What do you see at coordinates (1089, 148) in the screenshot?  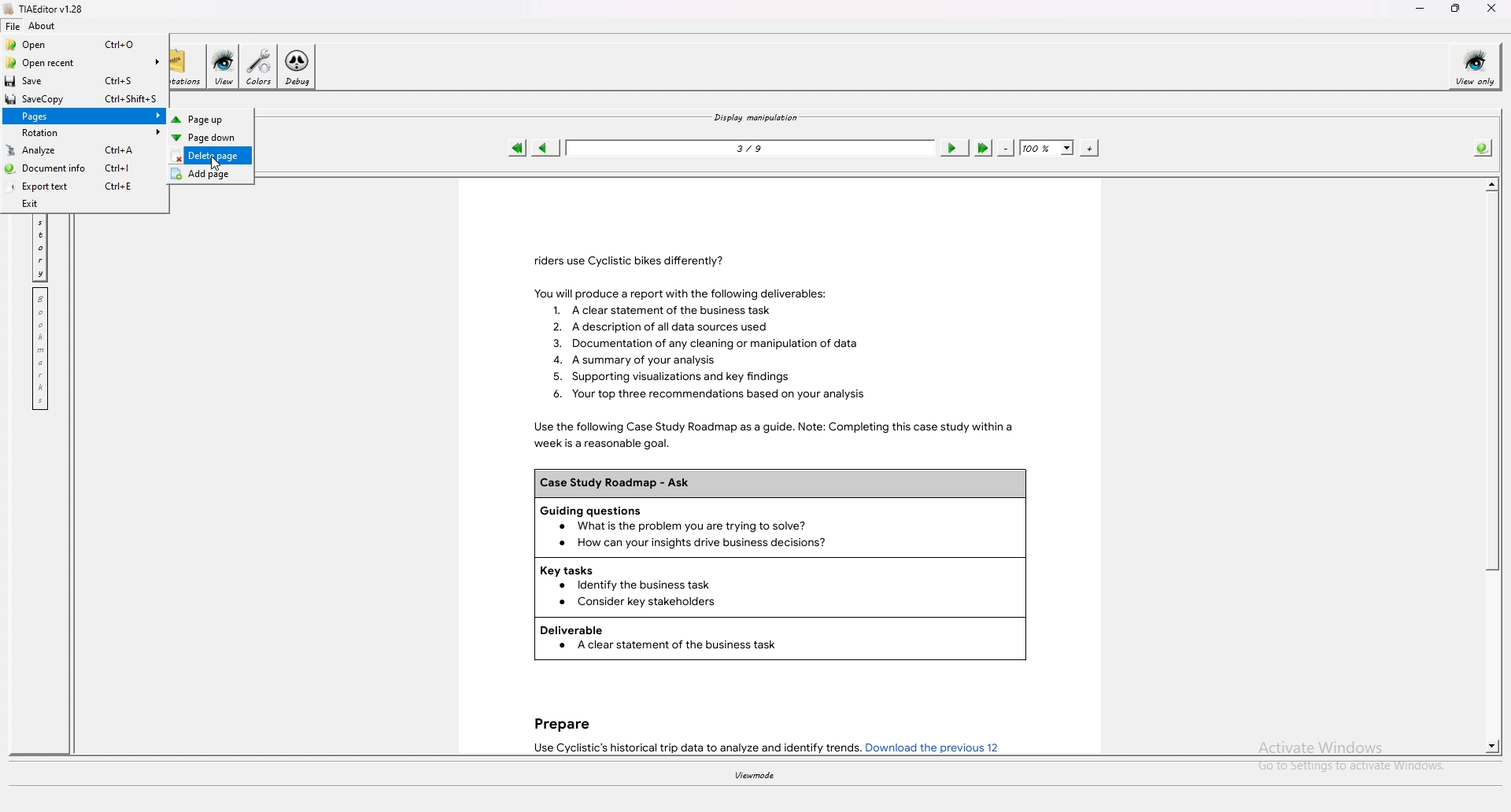 I see `zoom in` at bounding box center [1089, 148].